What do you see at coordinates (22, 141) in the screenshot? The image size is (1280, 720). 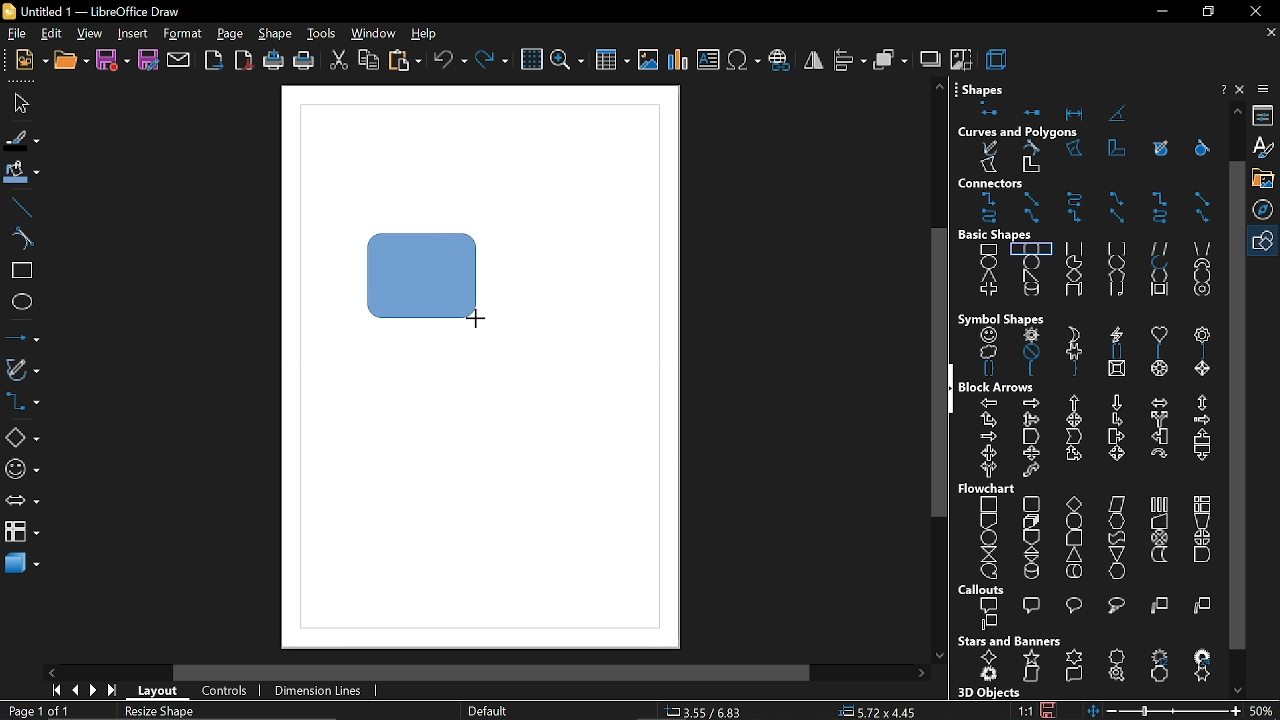 I see `fill line` at bounding box center [22, 141].